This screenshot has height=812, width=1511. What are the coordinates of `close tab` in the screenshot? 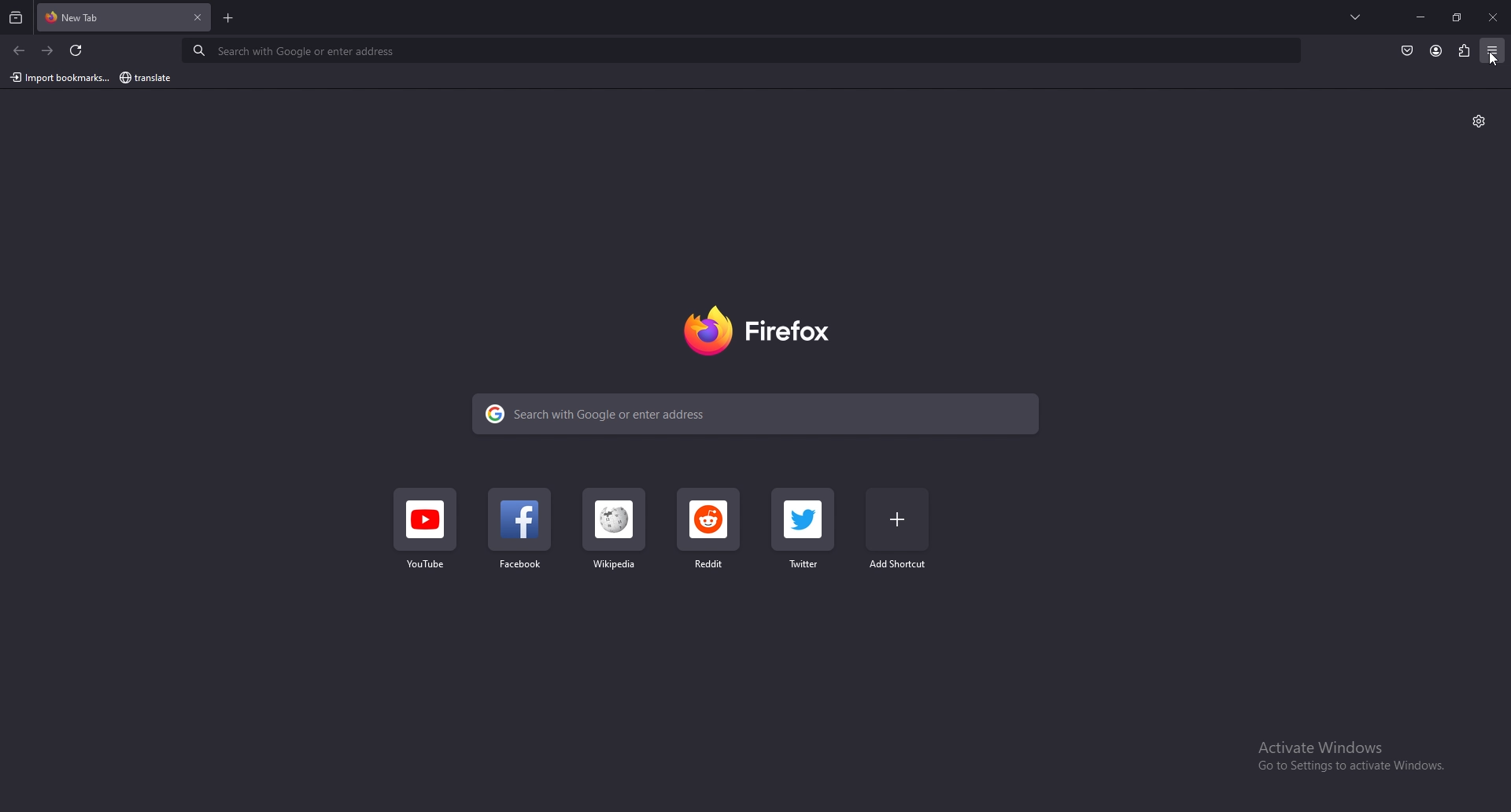 It's located at (200, 17).